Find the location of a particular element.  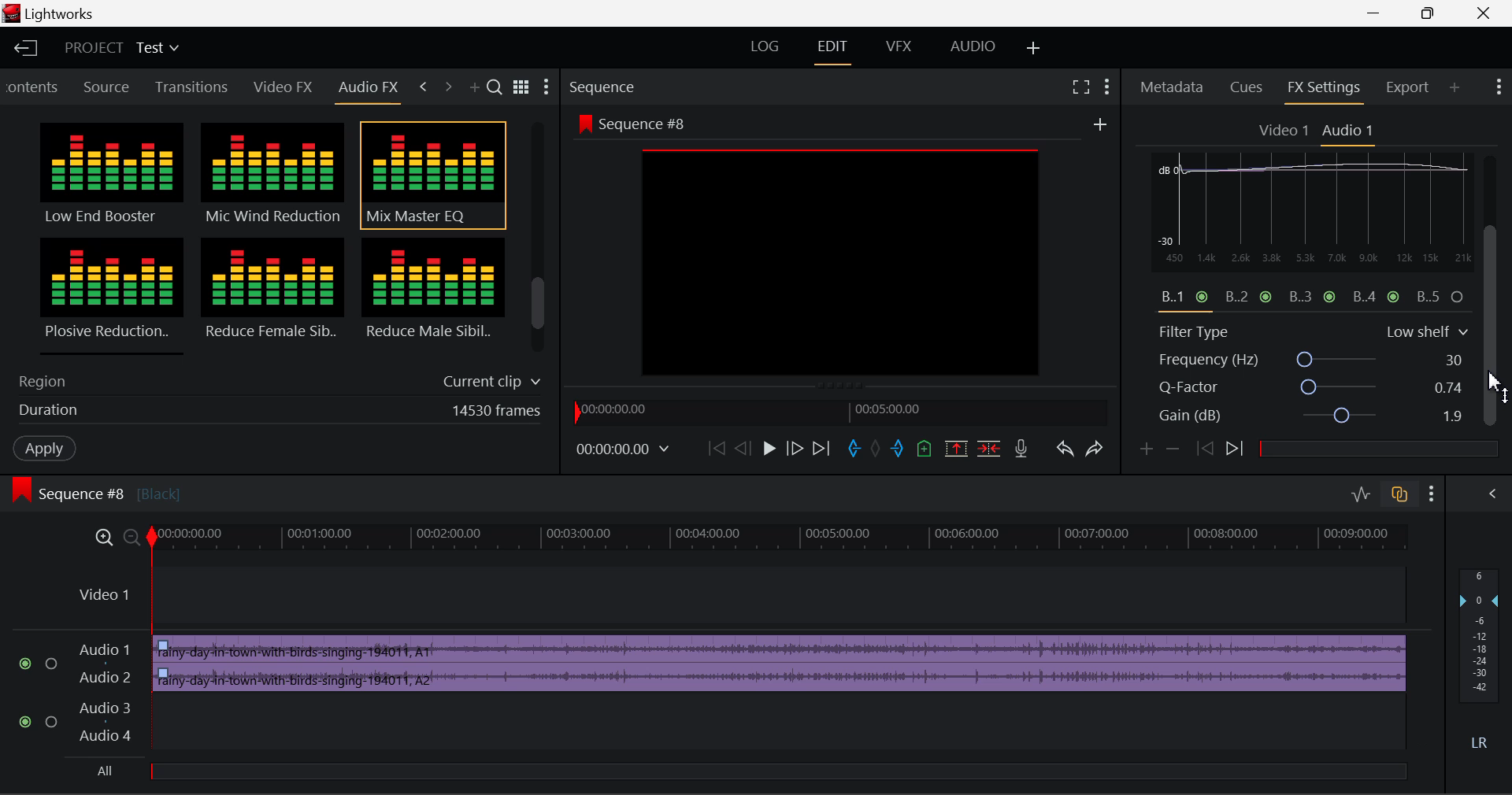

Lightworks is located at coordinates (71, 14).